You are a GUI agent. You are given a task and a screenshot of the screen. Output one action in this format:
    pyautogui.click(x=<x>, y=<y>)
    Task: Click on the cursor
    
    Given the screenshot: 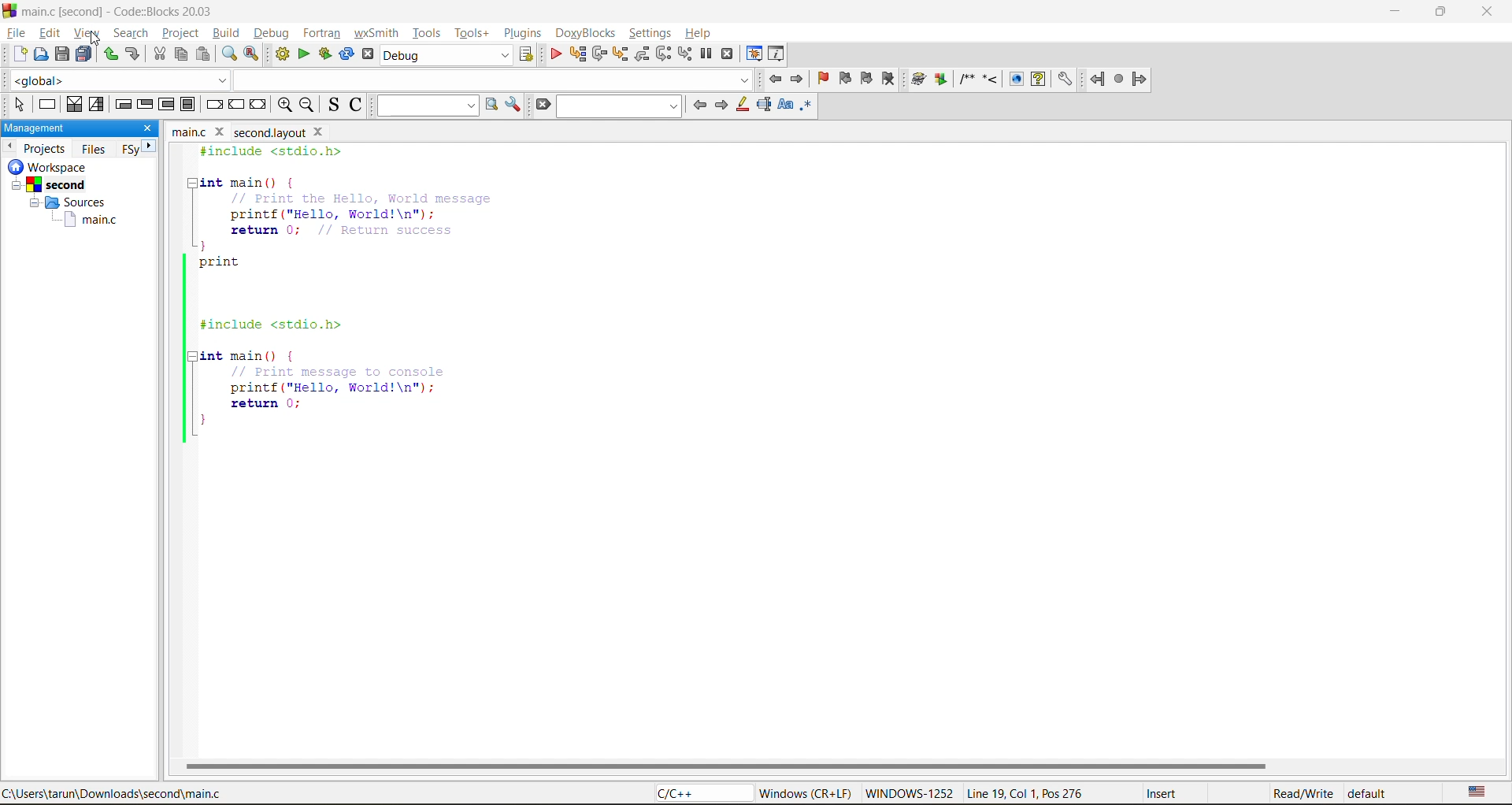 What is the action you would take?
    pyautogui.click(x=96, y=39)
    